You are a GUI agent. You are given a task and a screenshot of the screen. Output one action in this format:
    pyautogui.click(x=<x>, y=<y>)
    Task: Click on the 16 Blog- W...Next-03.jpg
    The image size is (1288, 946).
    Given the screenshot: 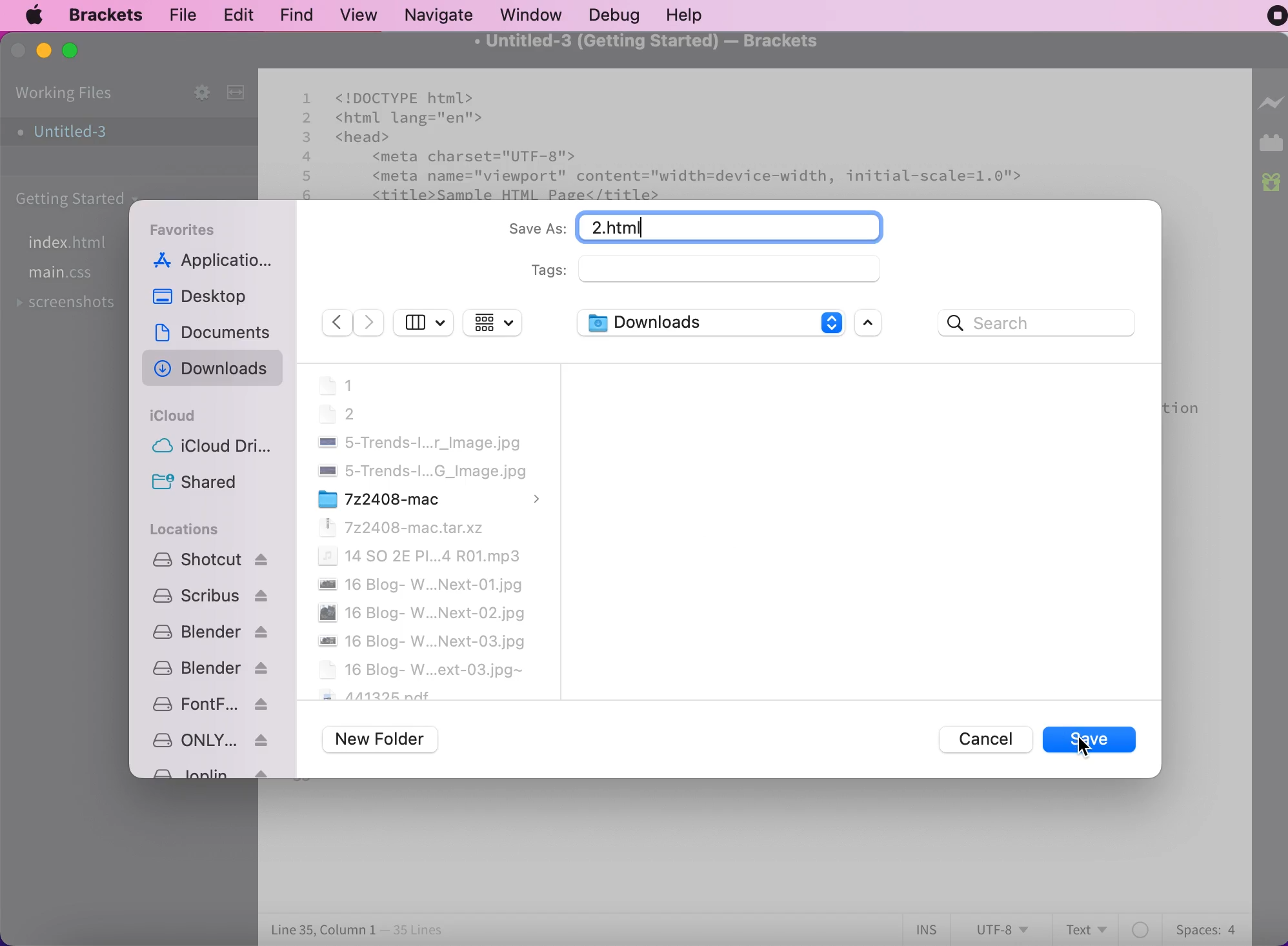 What is the action you would take?
    pyautogui.click(x=422, y=641)
    